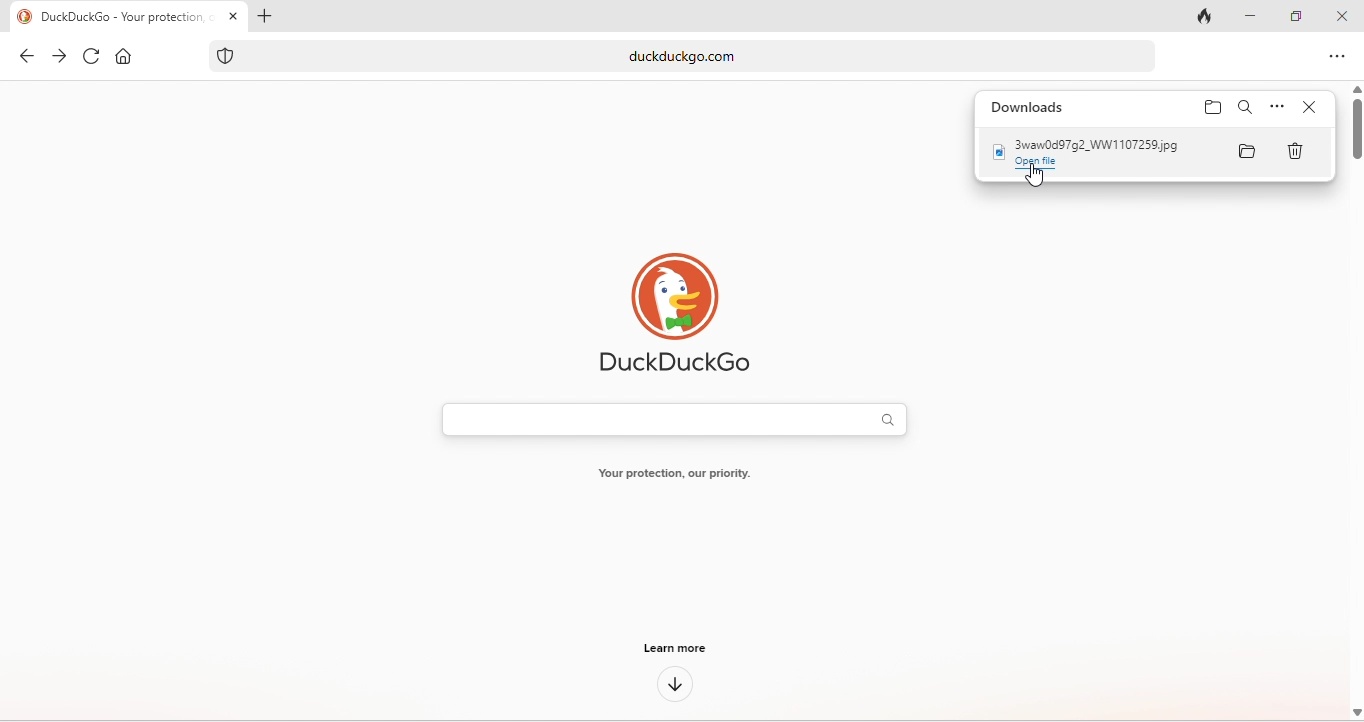  Describe the element at coordinates (1335, 59) in the screenshot. I see `options` at that location.